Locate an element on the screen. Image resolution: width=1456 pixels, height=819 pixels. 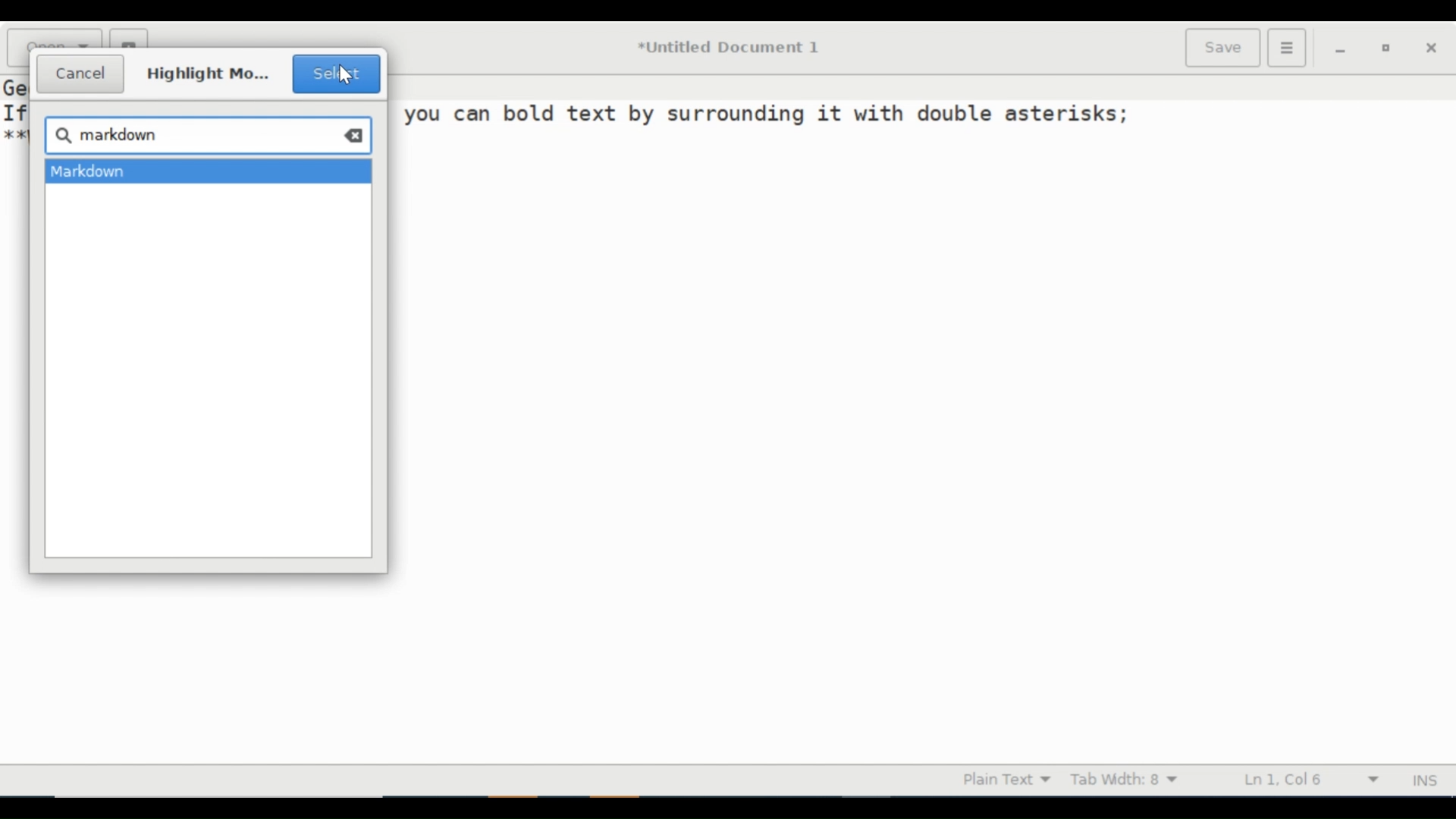
minimize is located at coordinates (1345, 48).